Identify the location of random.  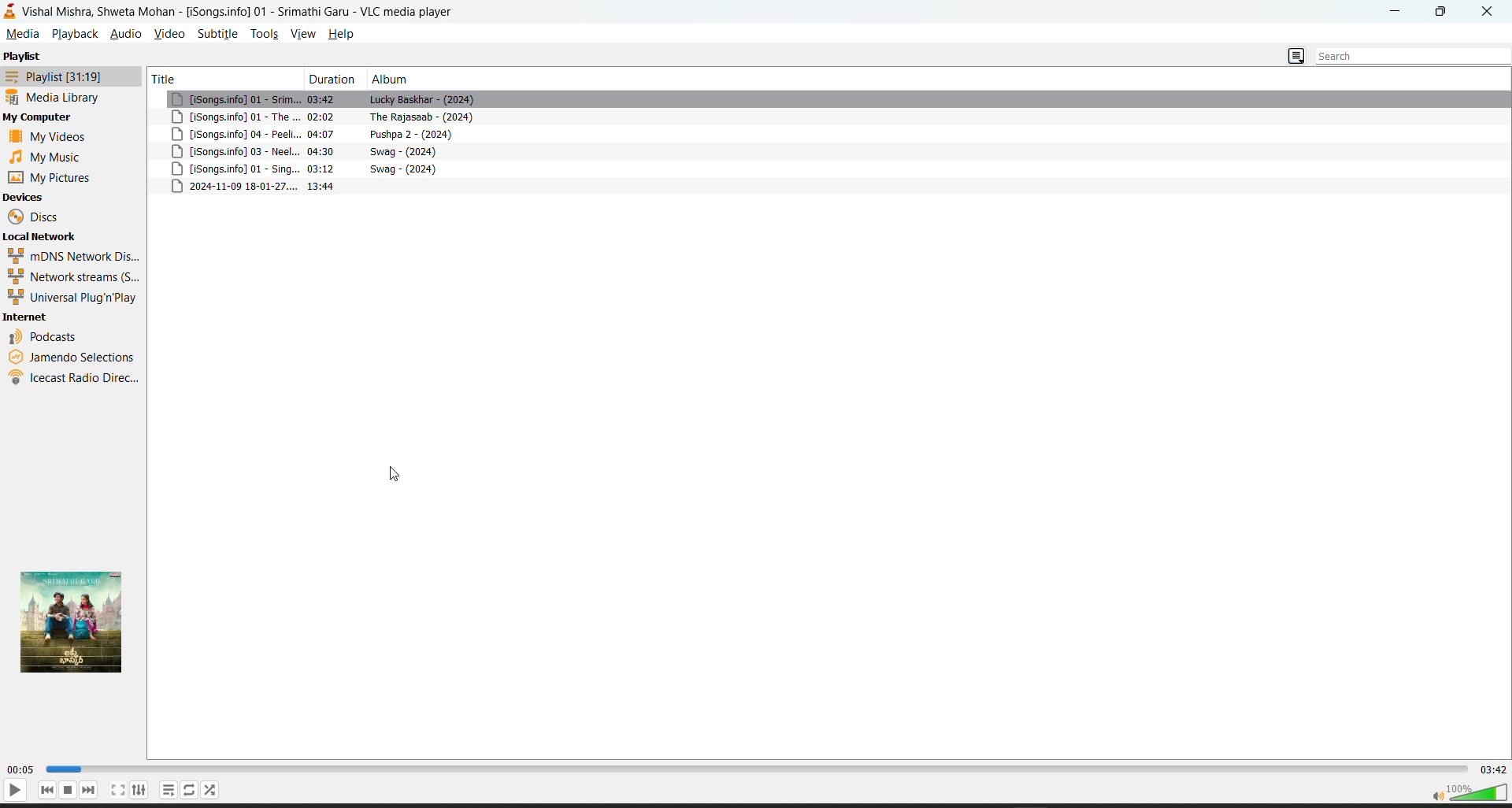
(214, 790).